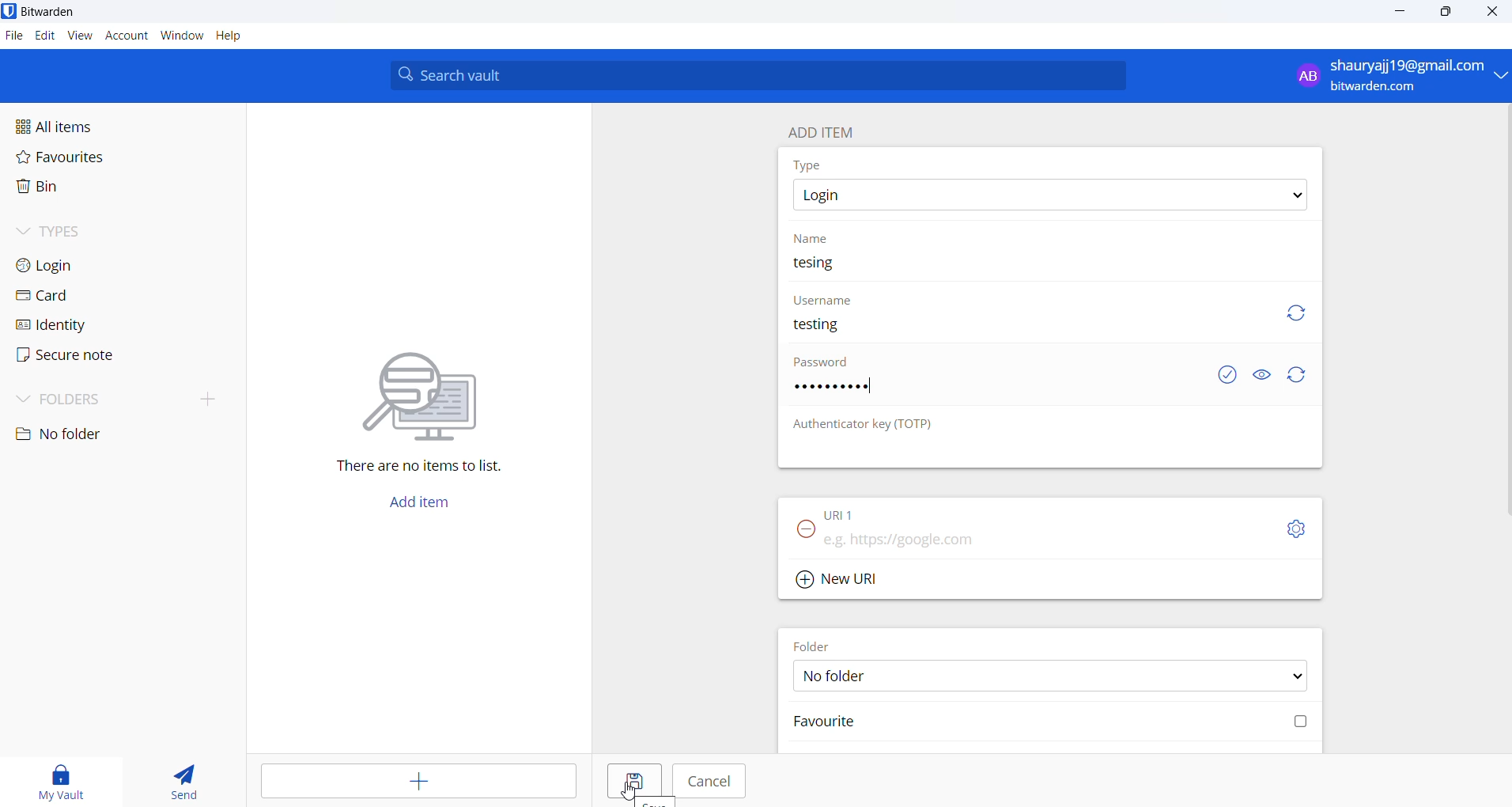  Describe the element at coordinates (629, 780) in the screenshot. I see `Save` at that location.